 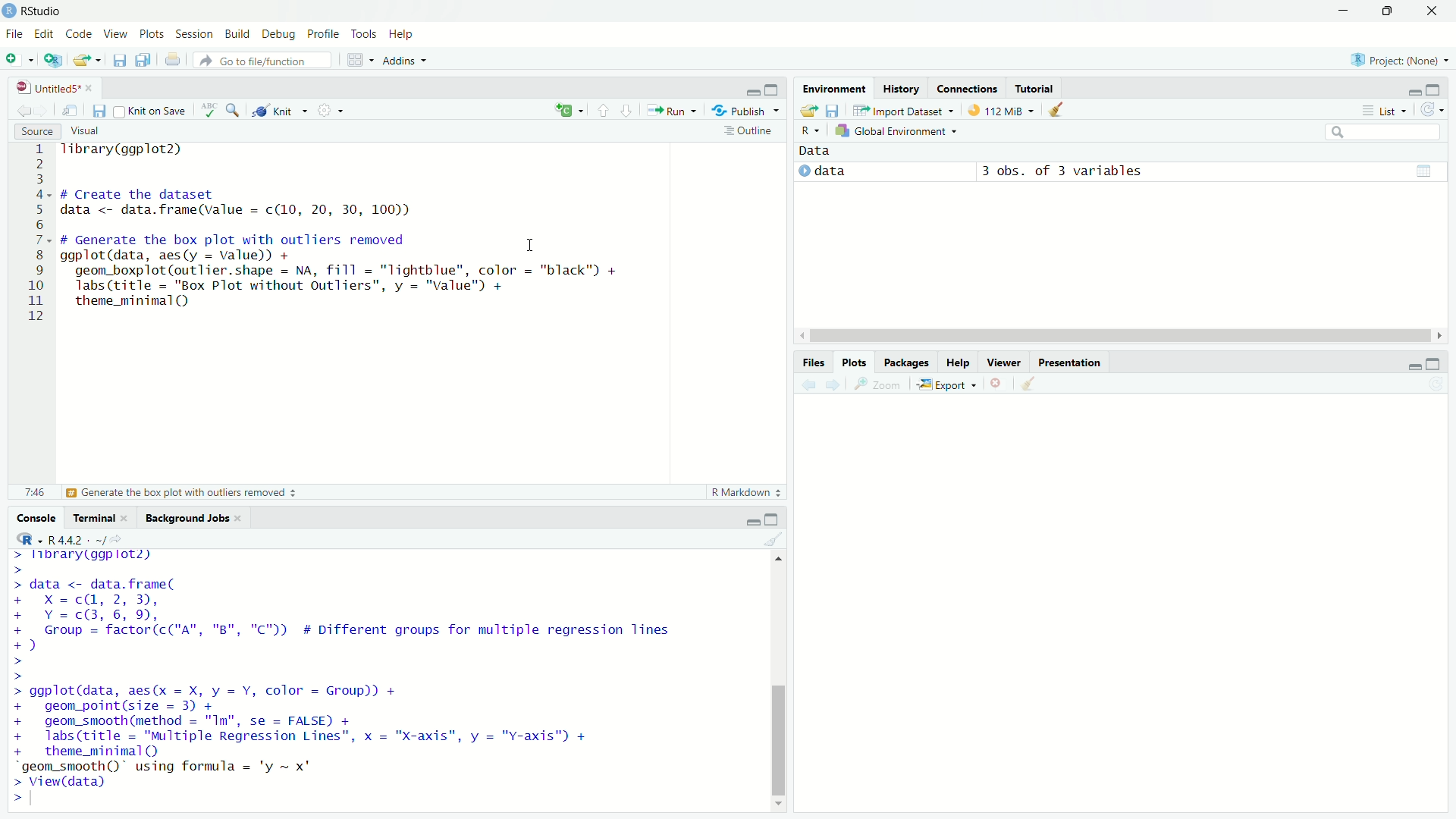 What do you see at coordinates (1053, 111) in the screenshot?
I see `clear` at bounding box center [1053, 111].